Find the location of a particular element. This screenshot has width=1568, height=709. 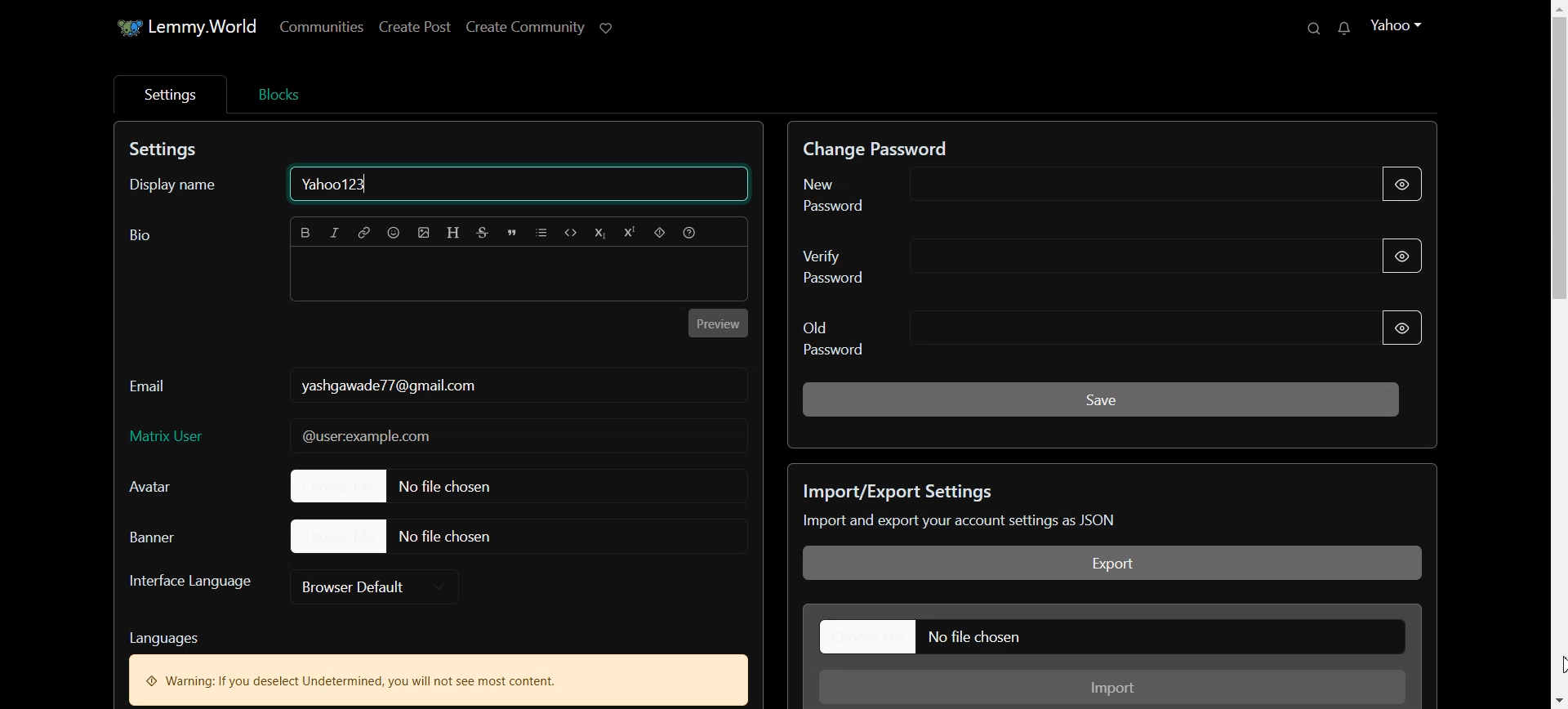

Bold is located at coordinates (306, 233).